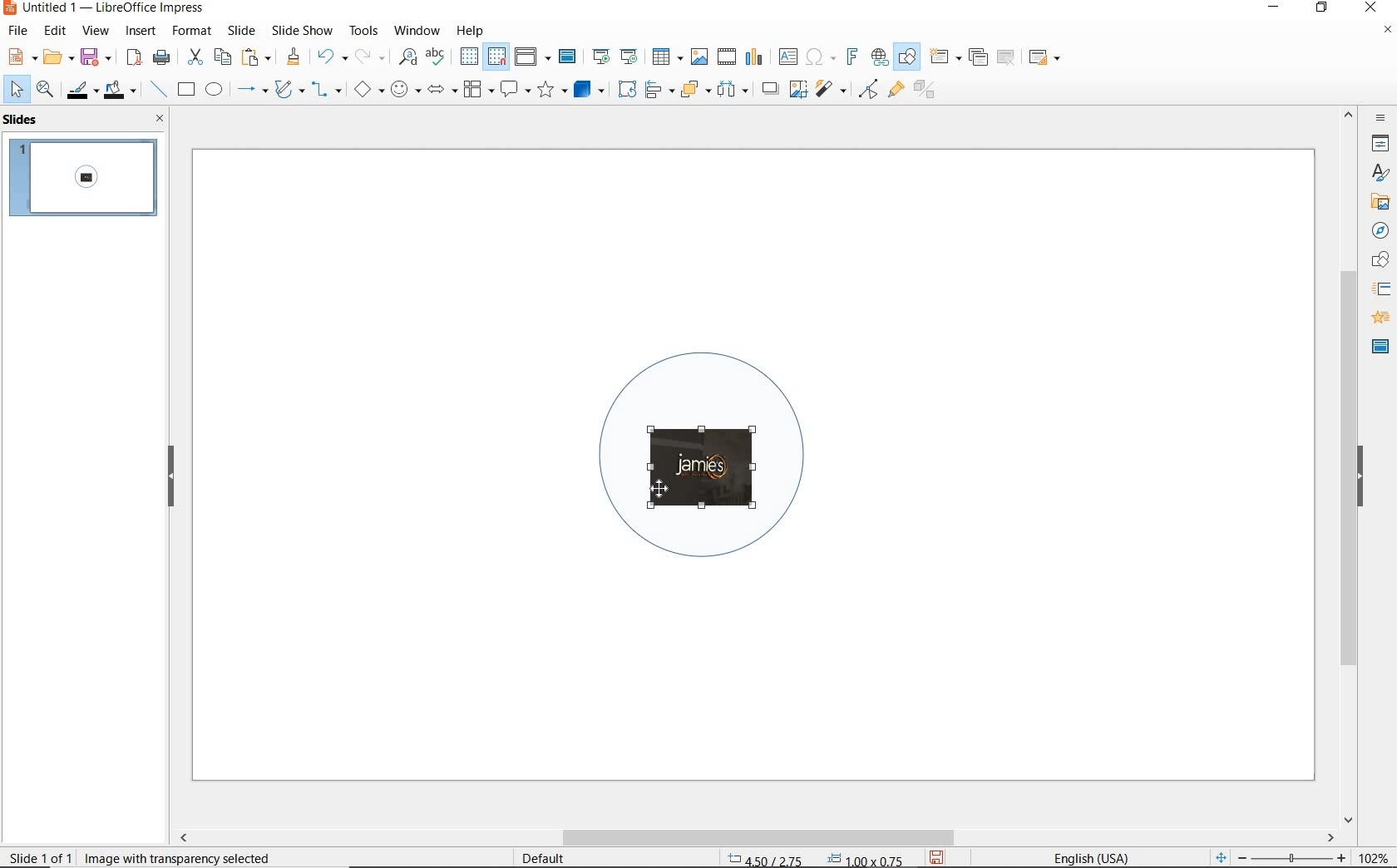  Describe the element at coordinates (161, 56) in the screenshot. I see `print` at that location.